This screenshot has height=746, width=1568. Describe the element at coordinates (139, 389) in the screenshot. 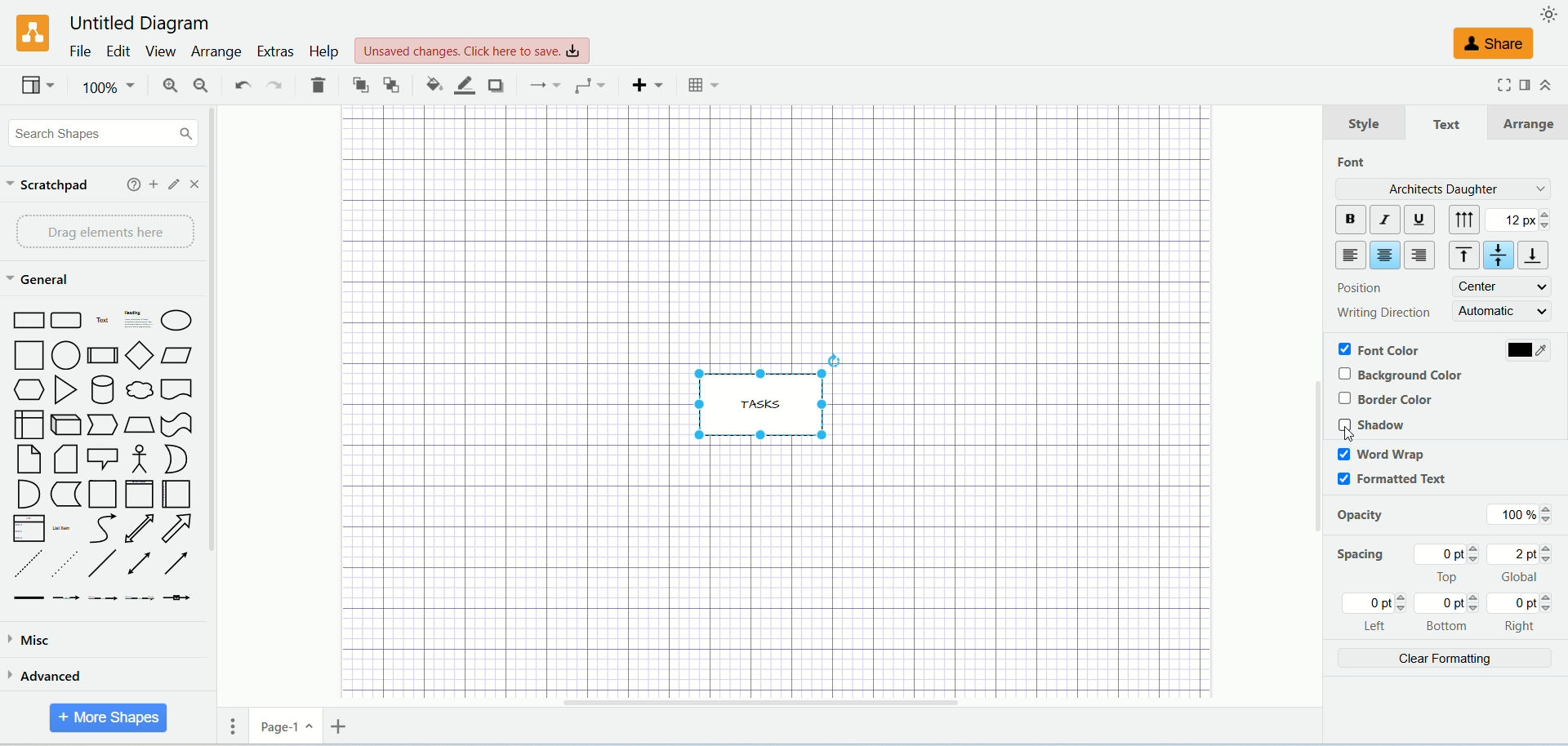

I see `Cloud` at that location.